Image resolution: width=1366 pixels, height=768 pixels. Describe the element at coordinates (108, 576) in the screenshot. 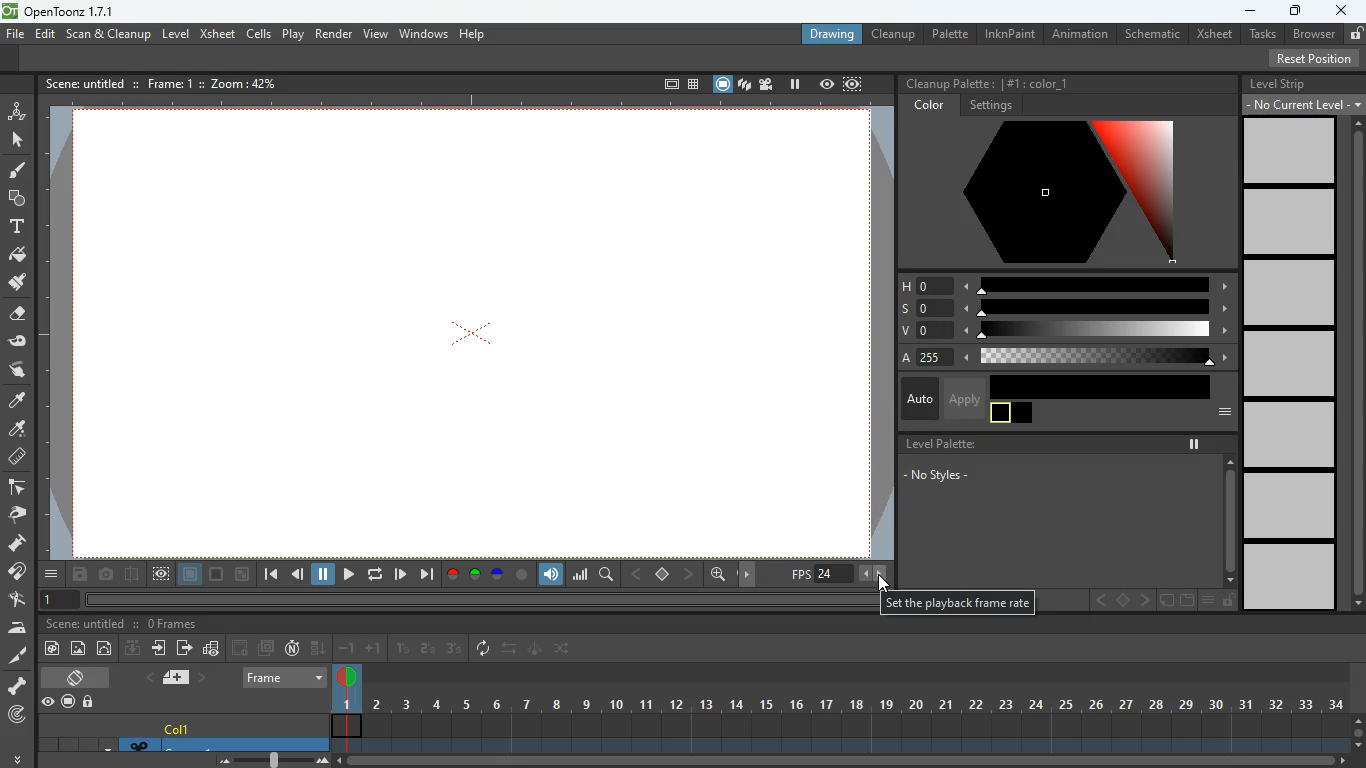

I see `camera` at that location.